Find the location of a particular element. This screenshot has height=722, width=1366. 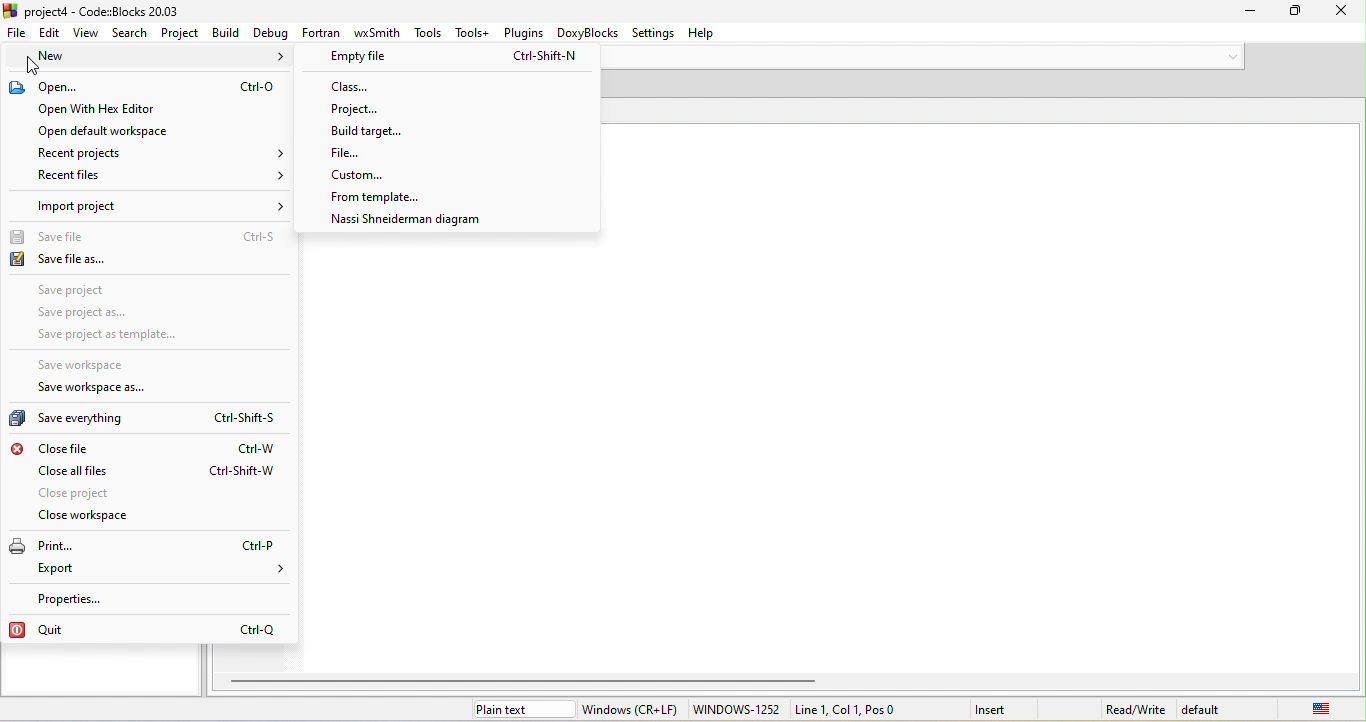

save everything is located at coordinates (147, 416).